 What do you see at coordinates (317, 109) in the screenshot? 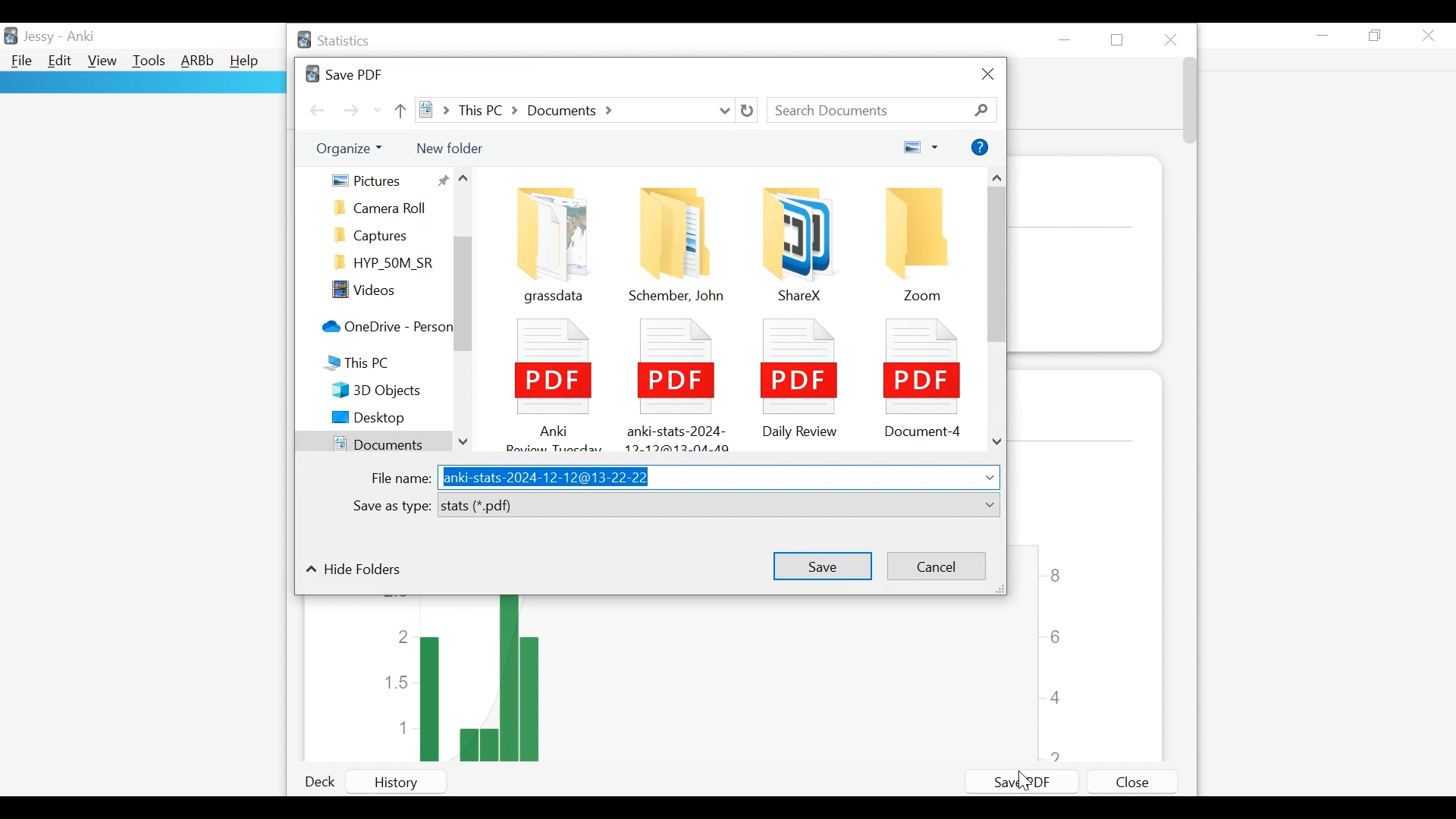
I see `Go back` at bounding box center [317, 109].